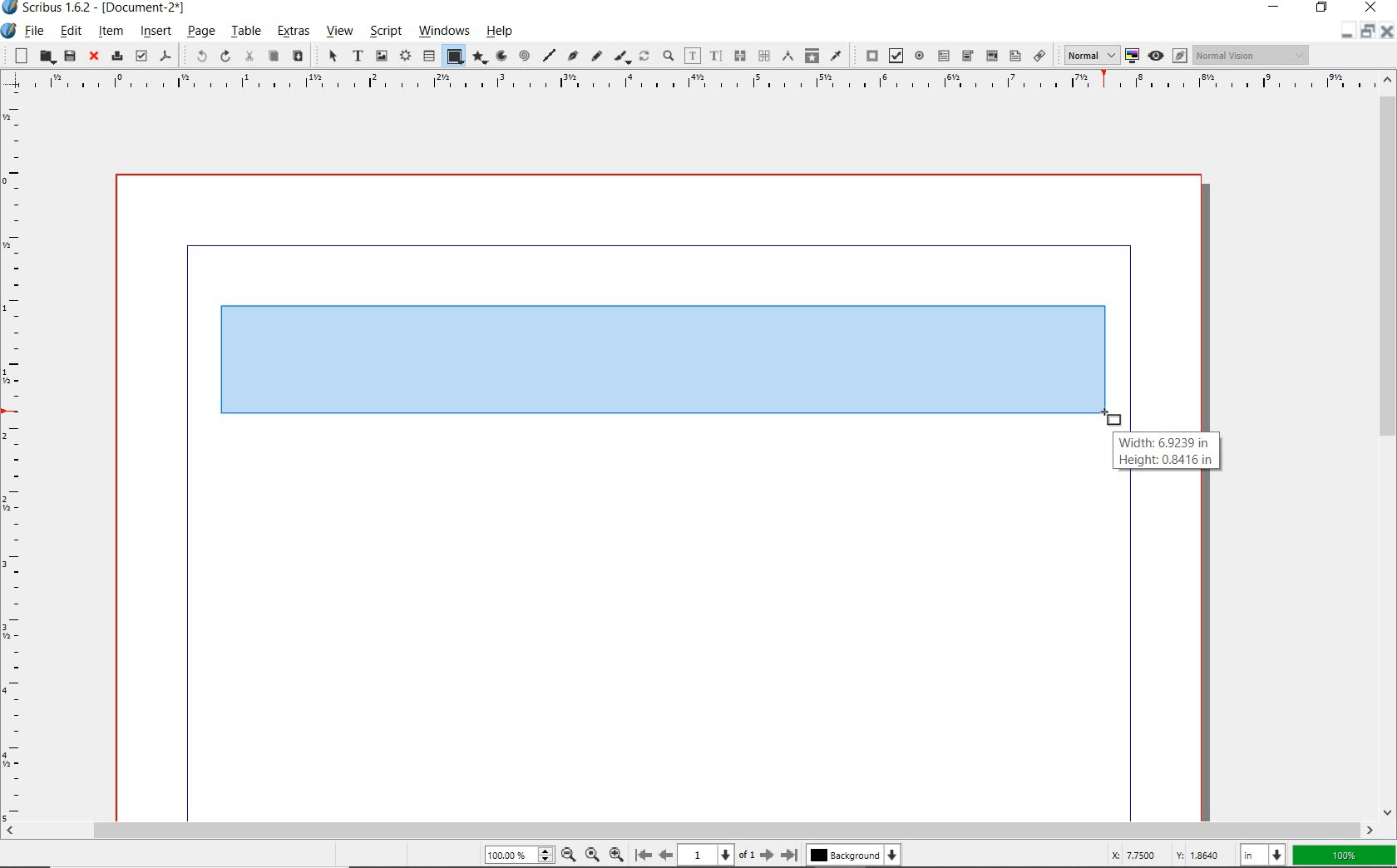 Image resolution: width=1397 pixels, height=868 pixels. I want to click on zoom in or zoom out, so click(668, 56).